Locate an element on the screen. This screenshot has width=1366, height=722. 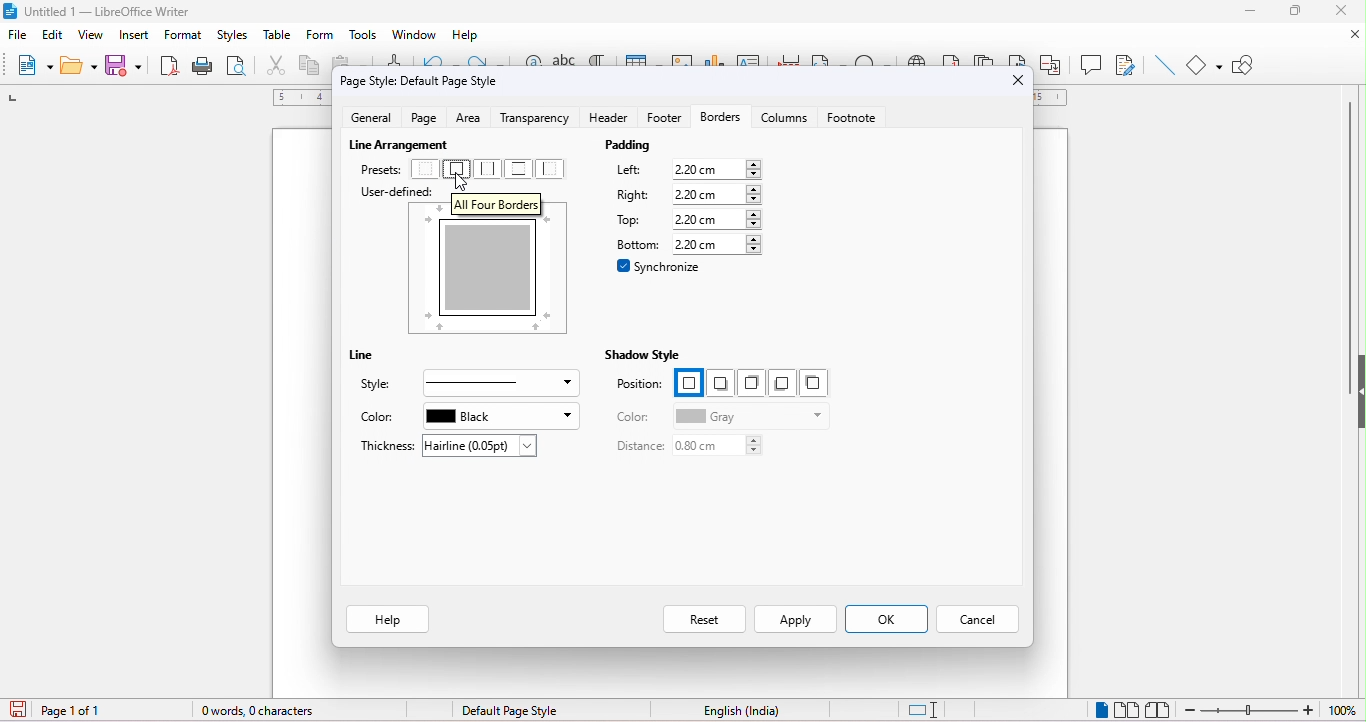
styles is located at coordinates (236, 37).